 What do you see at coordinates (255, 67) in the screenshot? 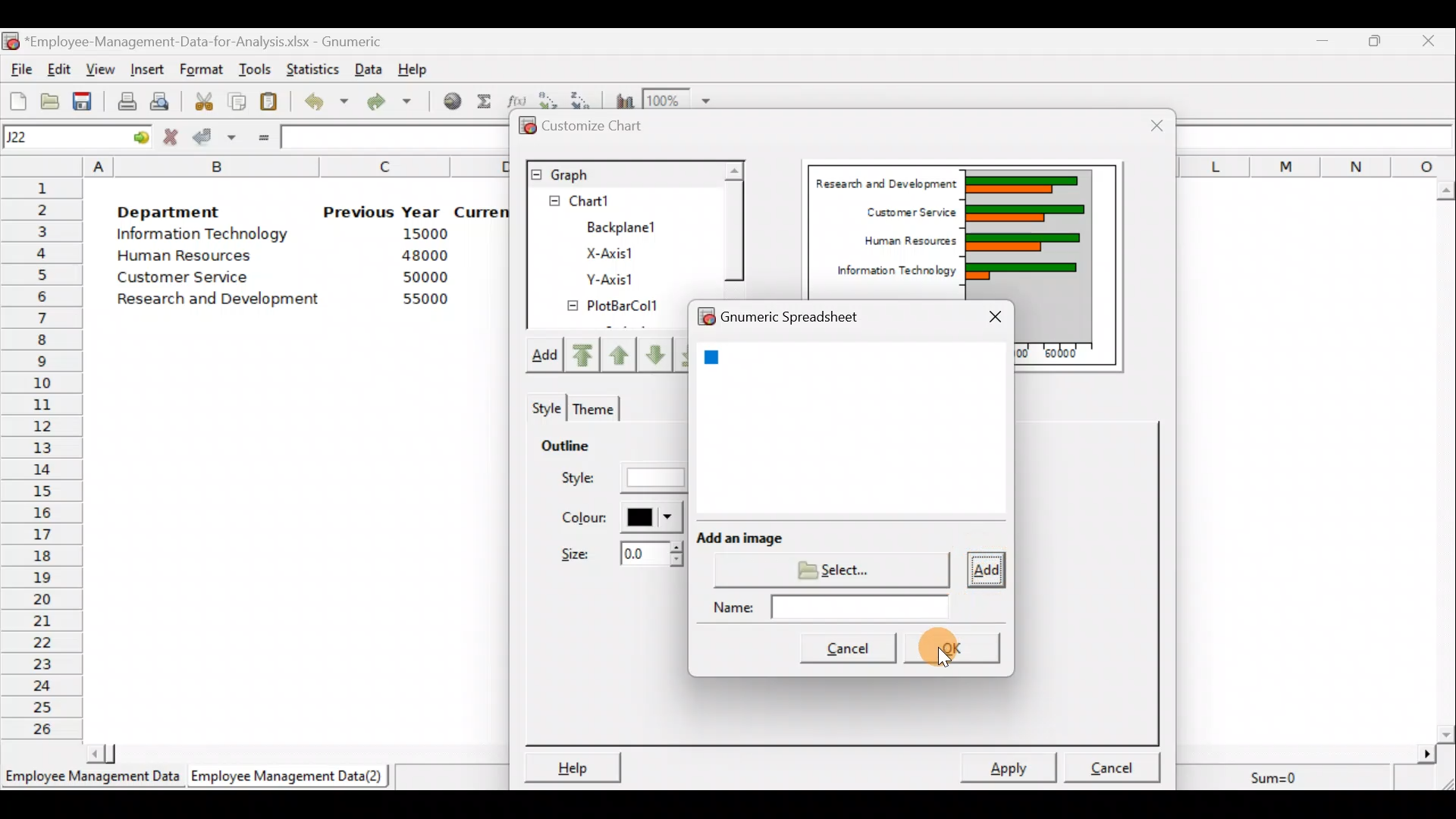
I see `Tools` at bounding box center [255, 67].